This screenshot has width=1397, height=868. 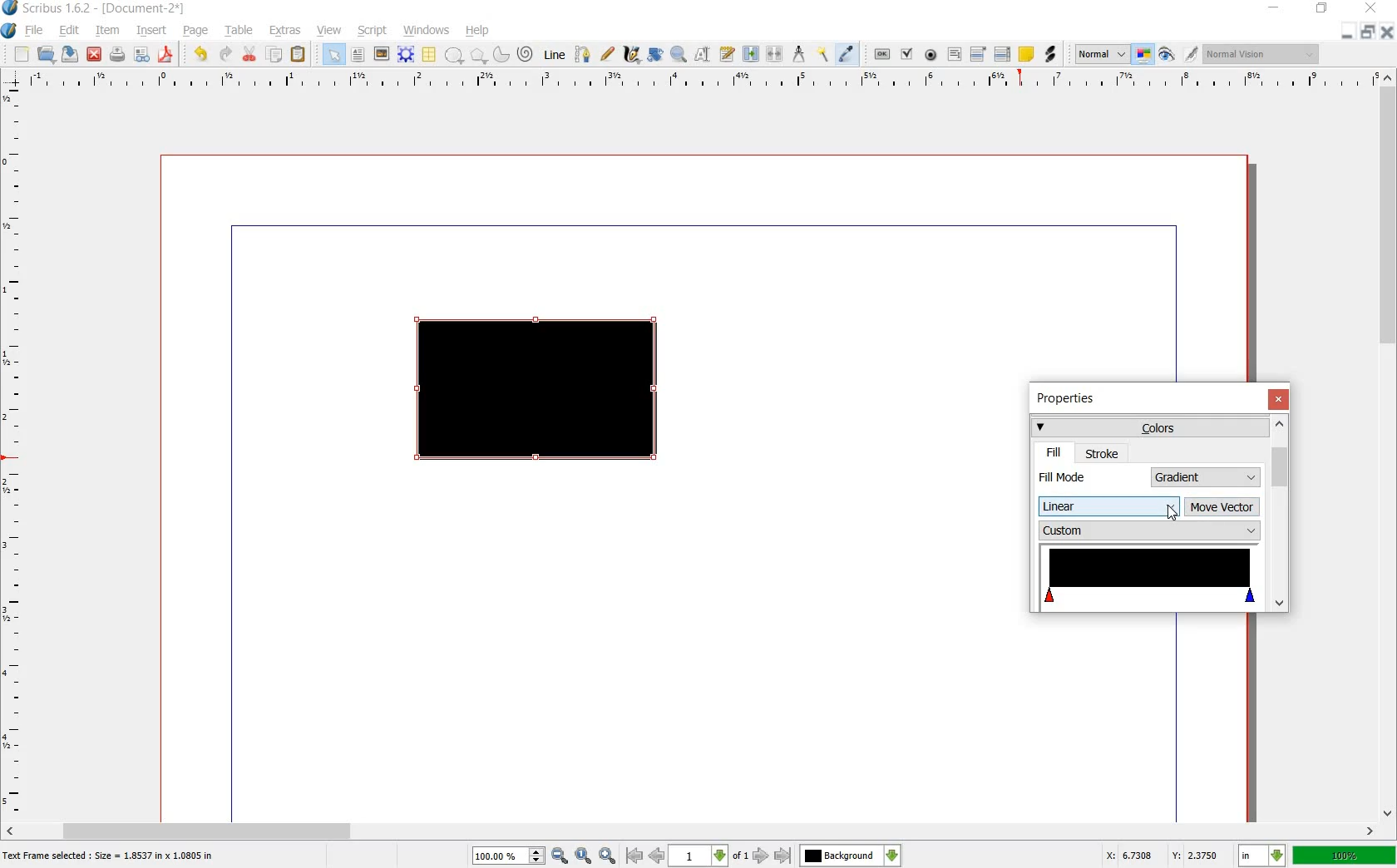 I want to click on Background, so click(x=851, y=856).